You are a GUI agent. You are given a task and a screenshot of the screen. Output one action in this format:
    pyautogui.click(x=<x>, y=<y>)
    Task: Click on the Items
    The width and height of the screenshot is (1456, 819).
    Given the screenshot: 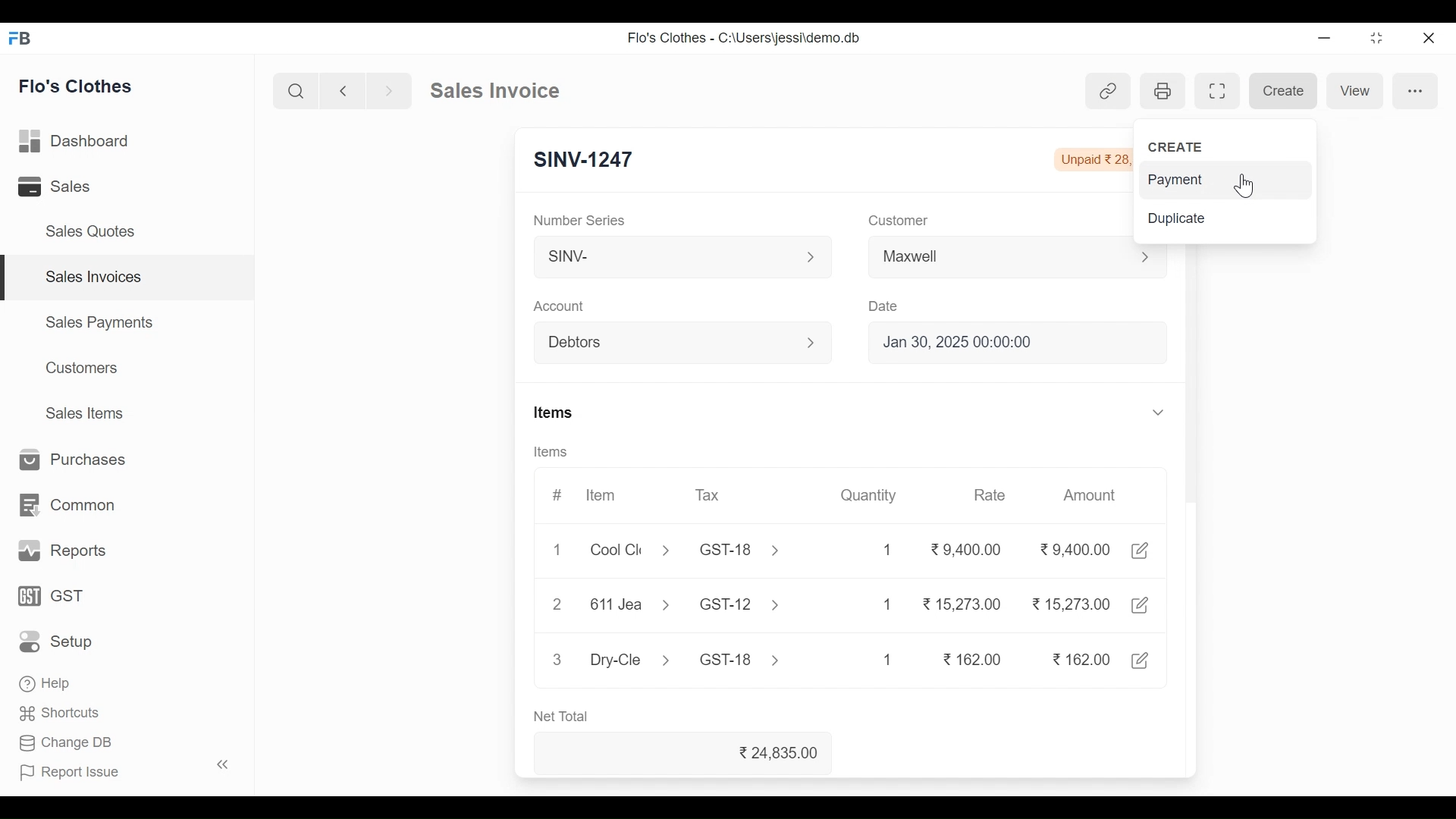 What is the action you would take?
    pyautogui.click(x=549, y=451)
    